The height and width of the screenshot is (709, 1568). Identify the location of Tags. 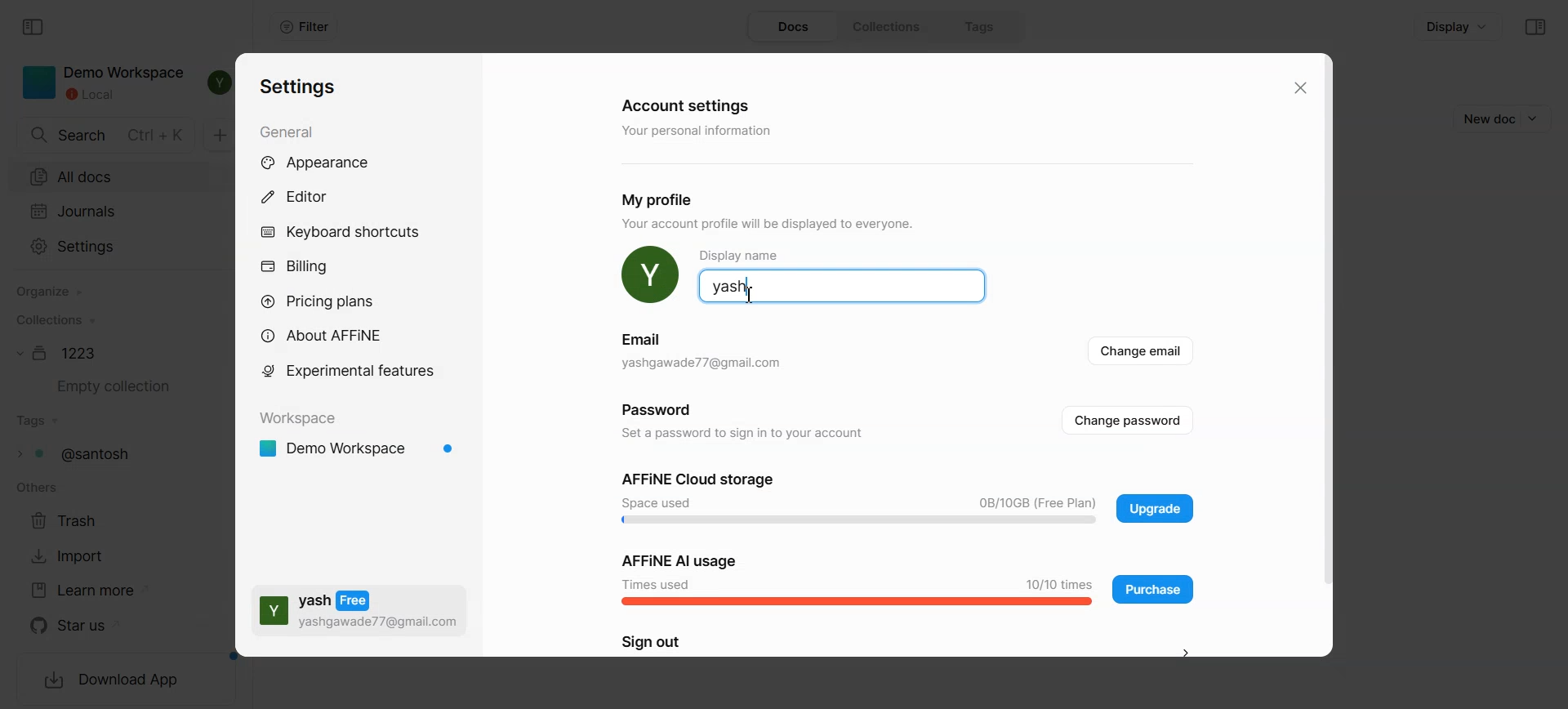
(982, 26).